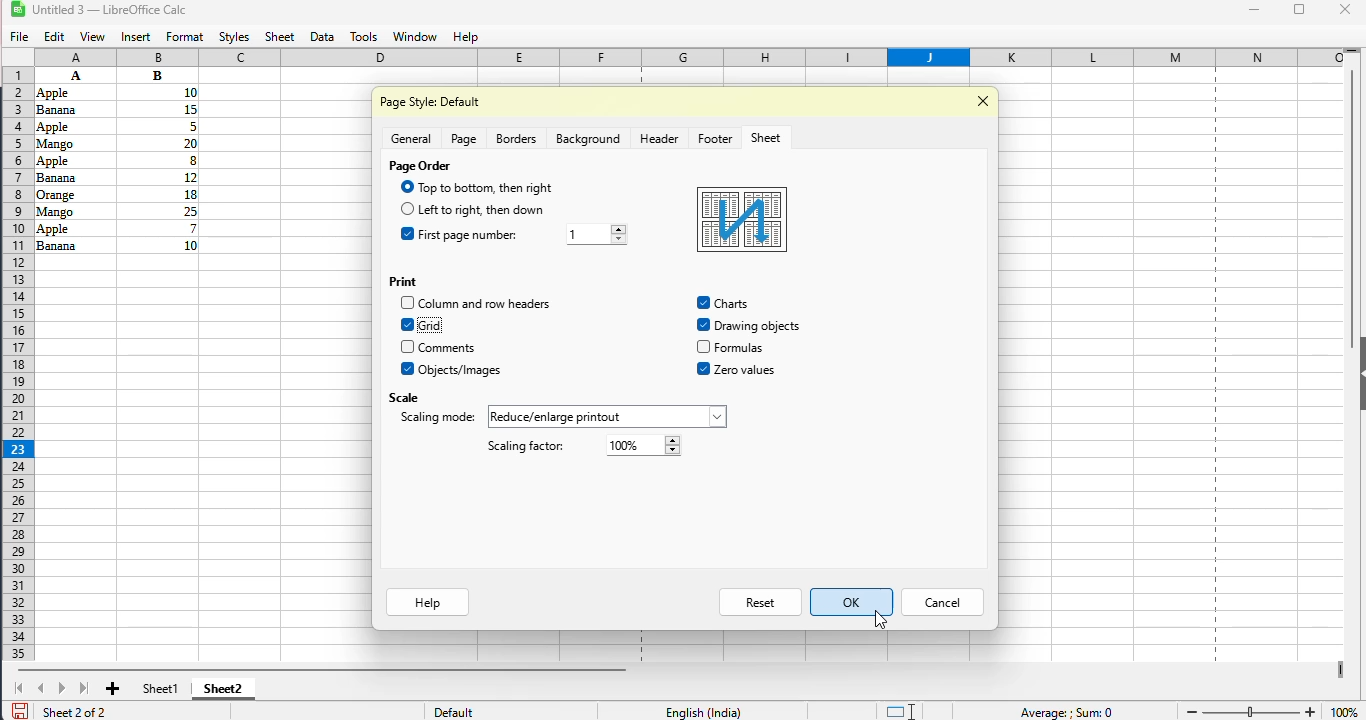  Describe the element at coordinates (19, 688) in the screenshot. I see `scroll to first sheet` at that location.